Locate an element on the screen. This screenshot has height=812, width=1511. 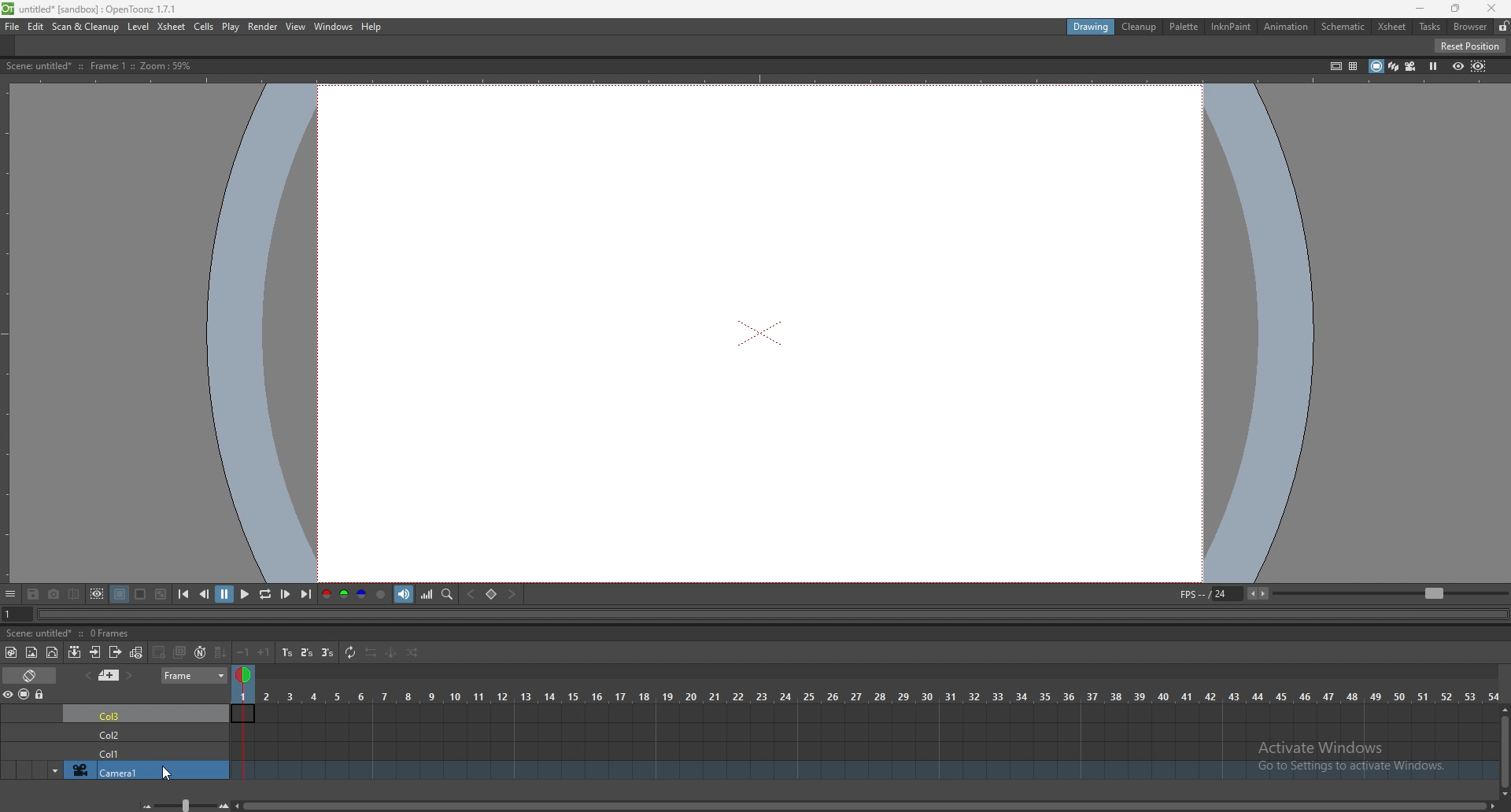
cursor is located at coordinates (168, 777).